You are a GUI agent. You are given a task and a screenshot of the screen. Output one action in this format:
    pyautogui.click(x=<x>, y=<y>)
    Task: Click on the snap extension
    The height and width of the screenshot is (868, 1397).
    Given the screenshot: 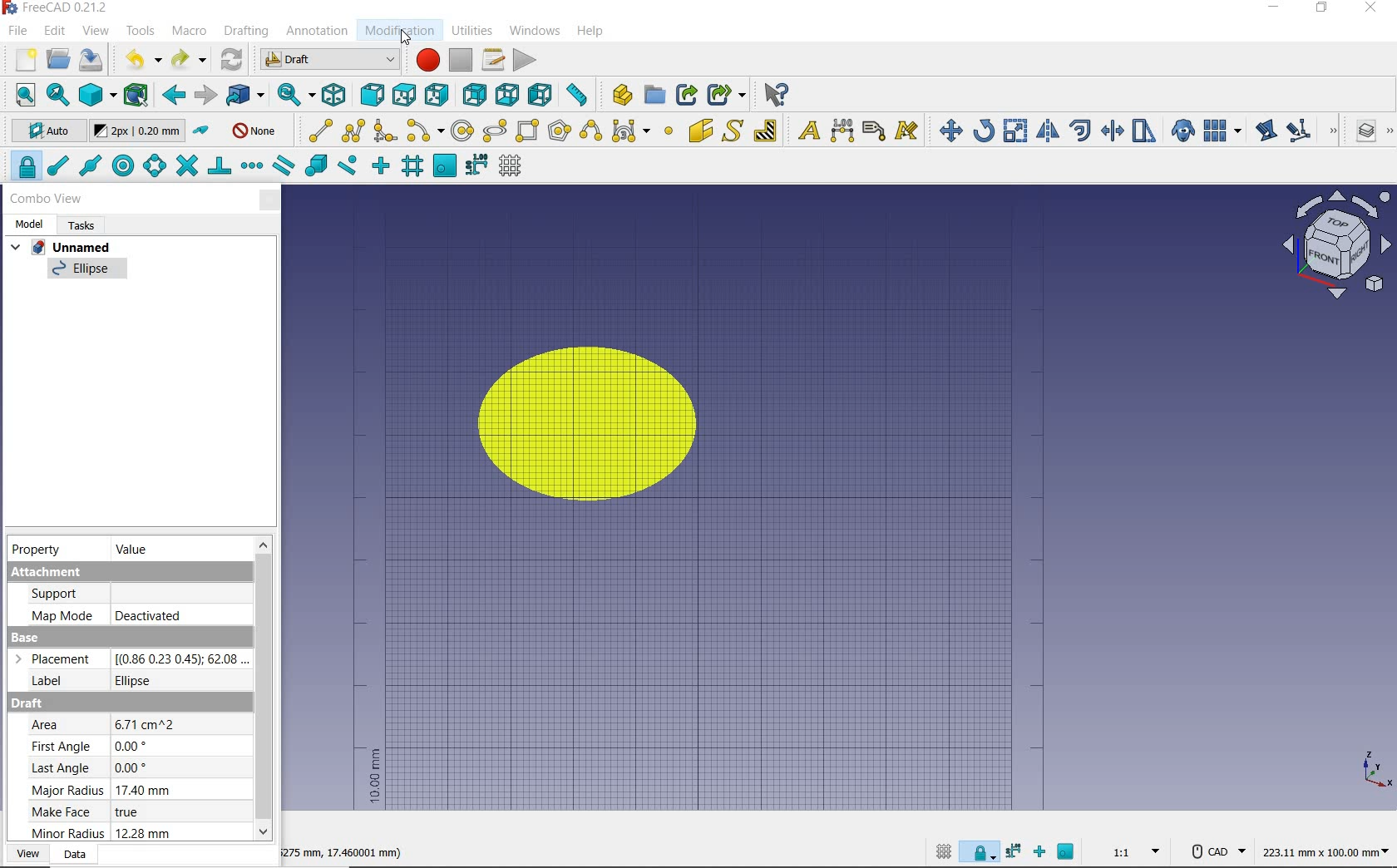 What is the action you would take?
    pyautogui.click(x=253, y=165)
    